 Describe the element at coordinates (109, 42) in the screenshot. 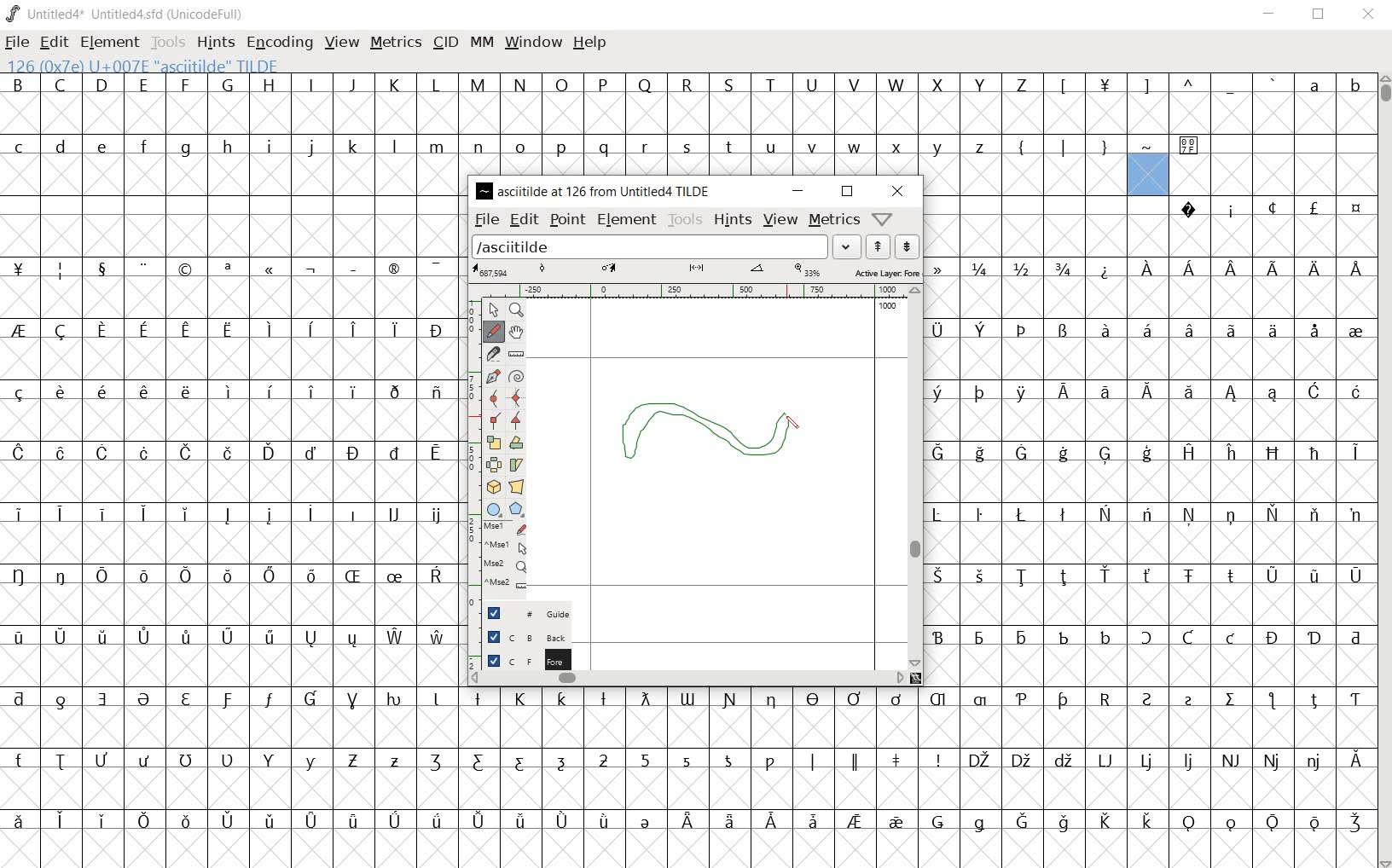

I see `ELEMENT` at that location.